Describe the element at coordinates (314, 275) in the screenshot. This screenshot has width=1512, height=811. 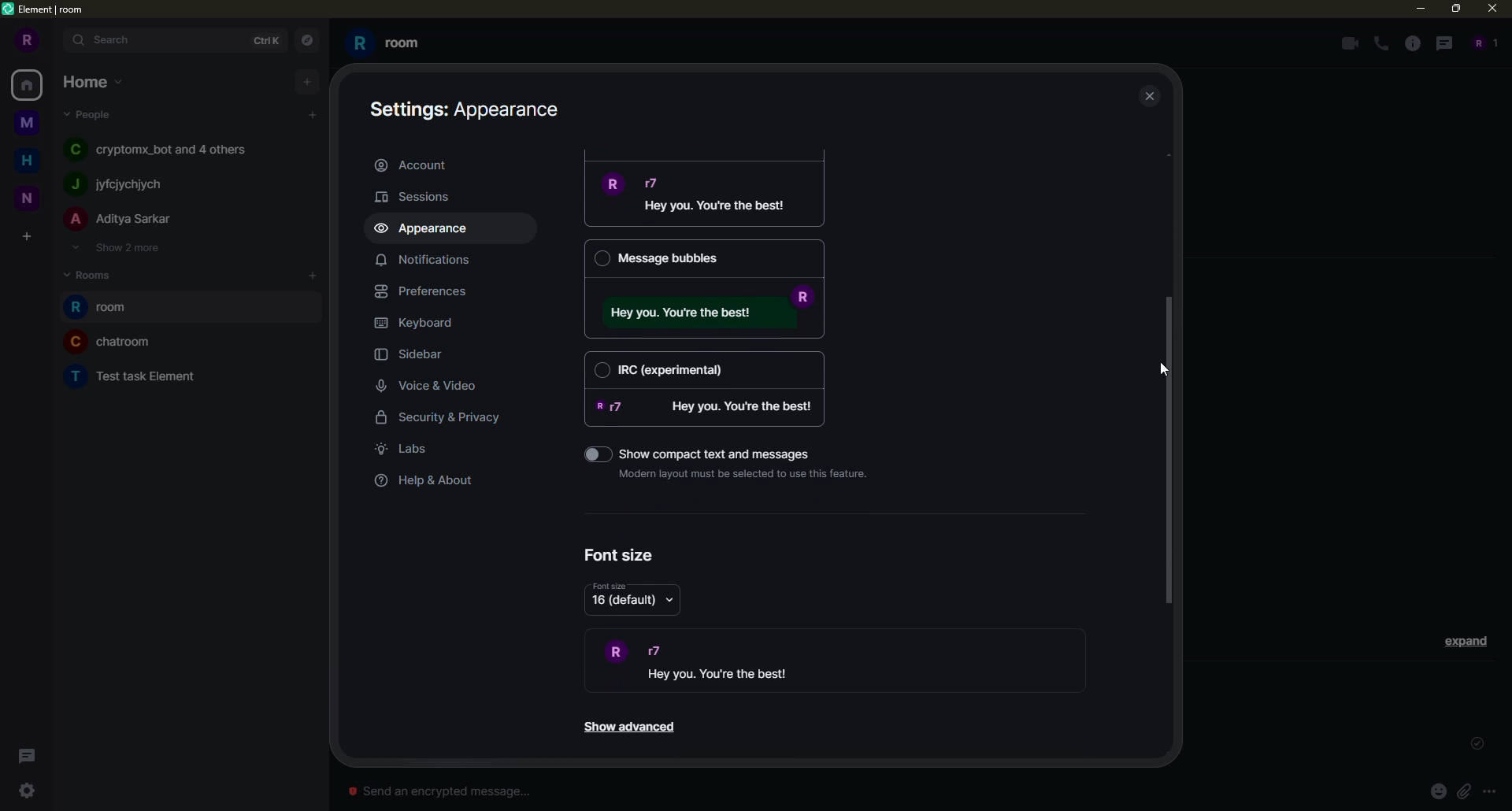
I see `add` at that location.